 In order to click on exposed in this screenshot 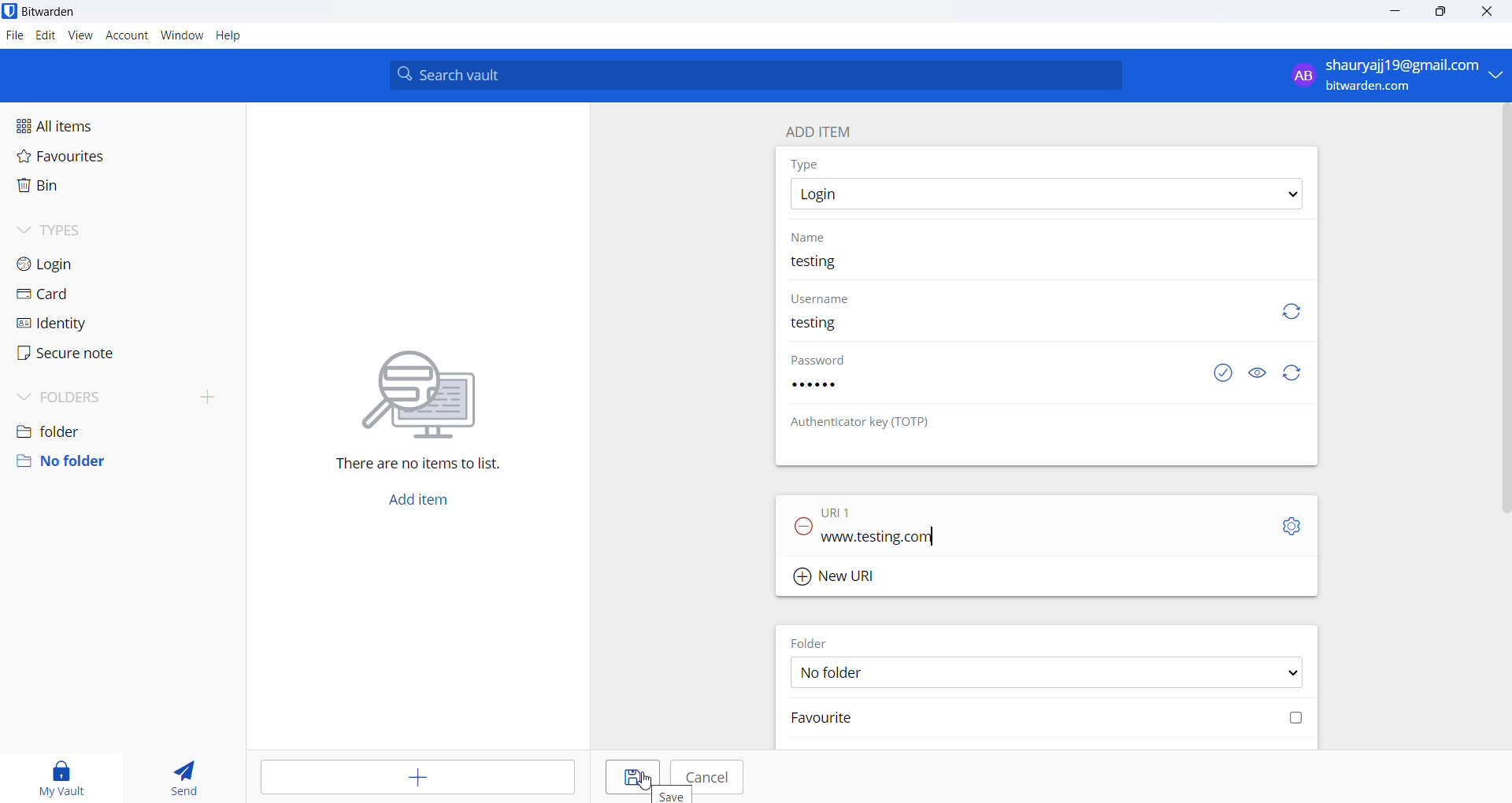, I will do `click(1223, 371)`.